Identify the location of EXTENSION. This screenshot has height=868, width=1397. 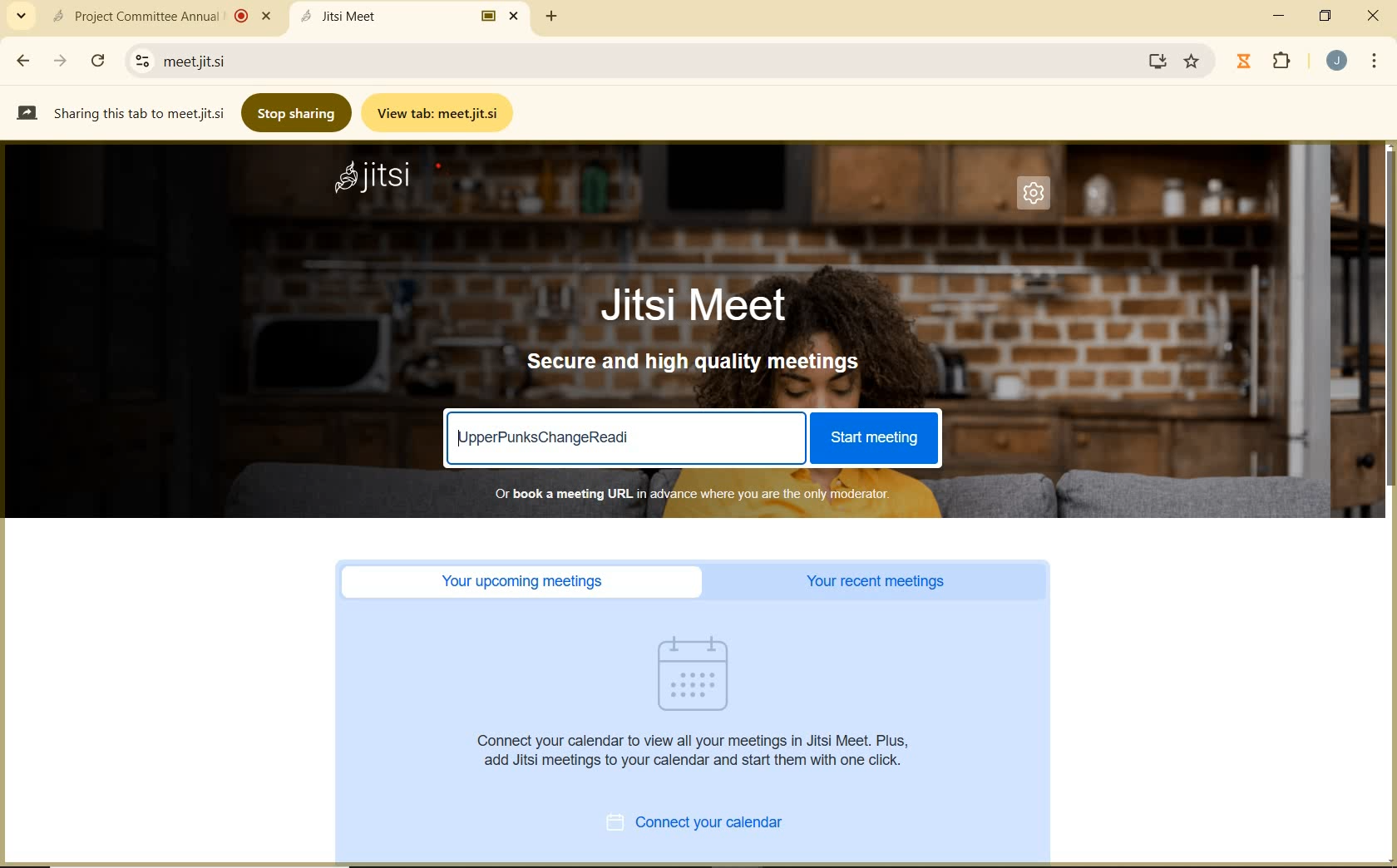
(1267, 62).